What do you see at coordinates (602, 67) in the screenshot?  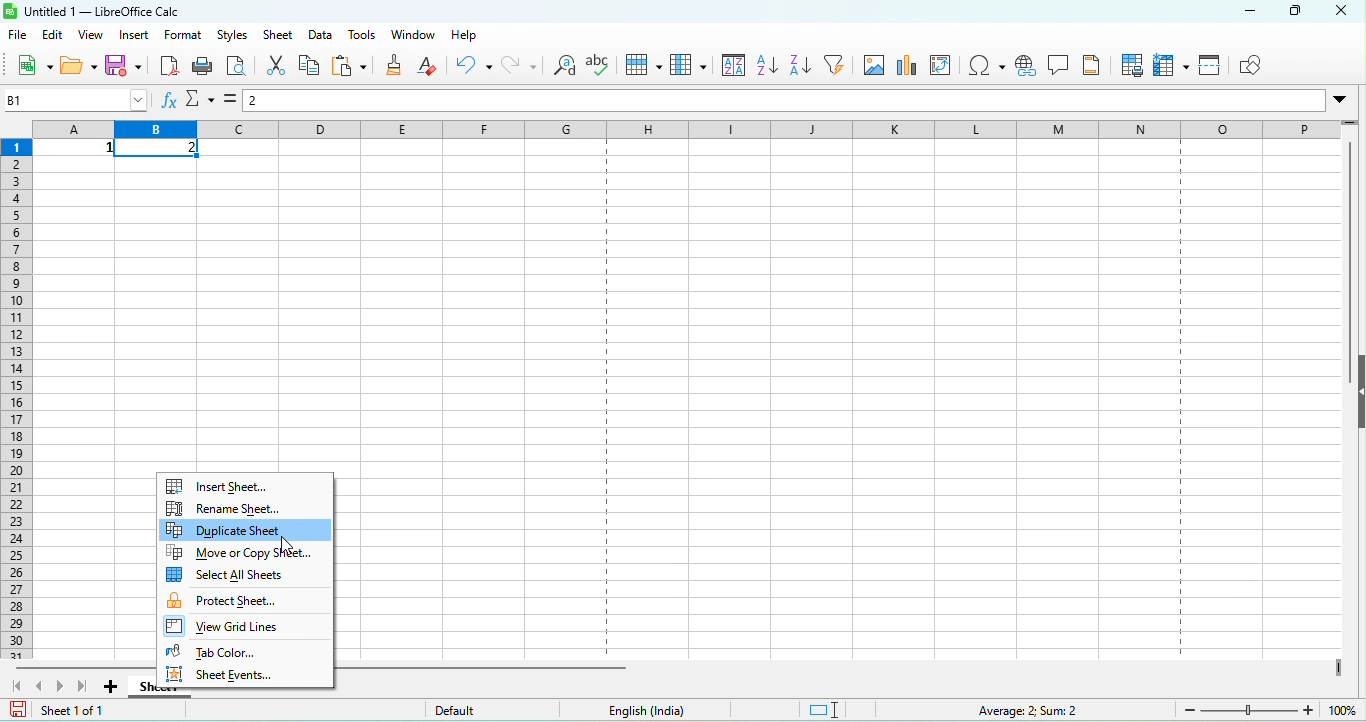 I see `spelling` at bounding box center [602, 67].